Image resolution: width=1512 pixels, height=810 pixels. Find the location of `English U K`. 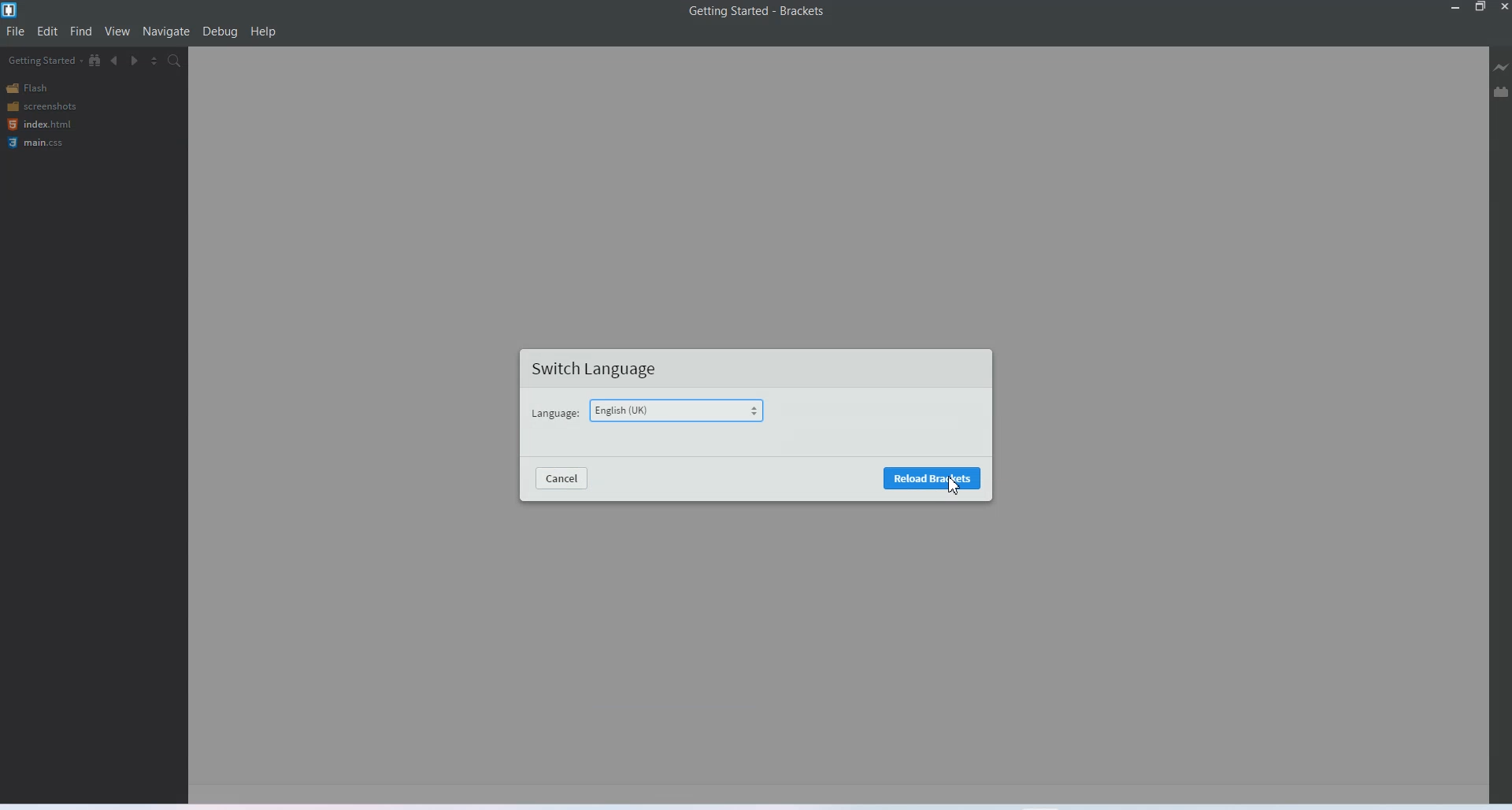

English U K is located at coordinates (680, 411).